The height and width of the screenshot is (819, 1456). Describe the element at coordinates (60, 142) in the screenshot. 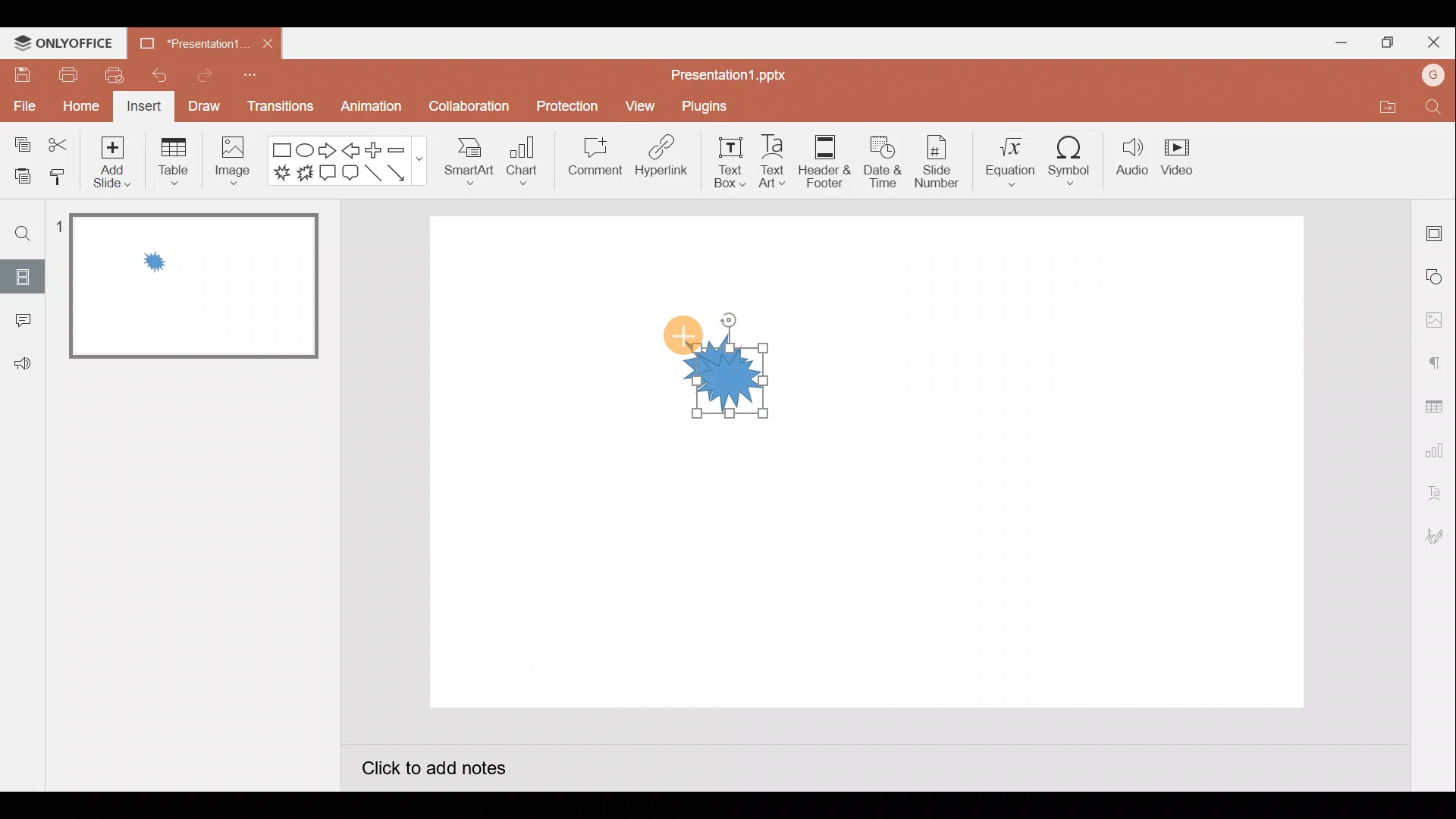

I see `Cut` at that location.